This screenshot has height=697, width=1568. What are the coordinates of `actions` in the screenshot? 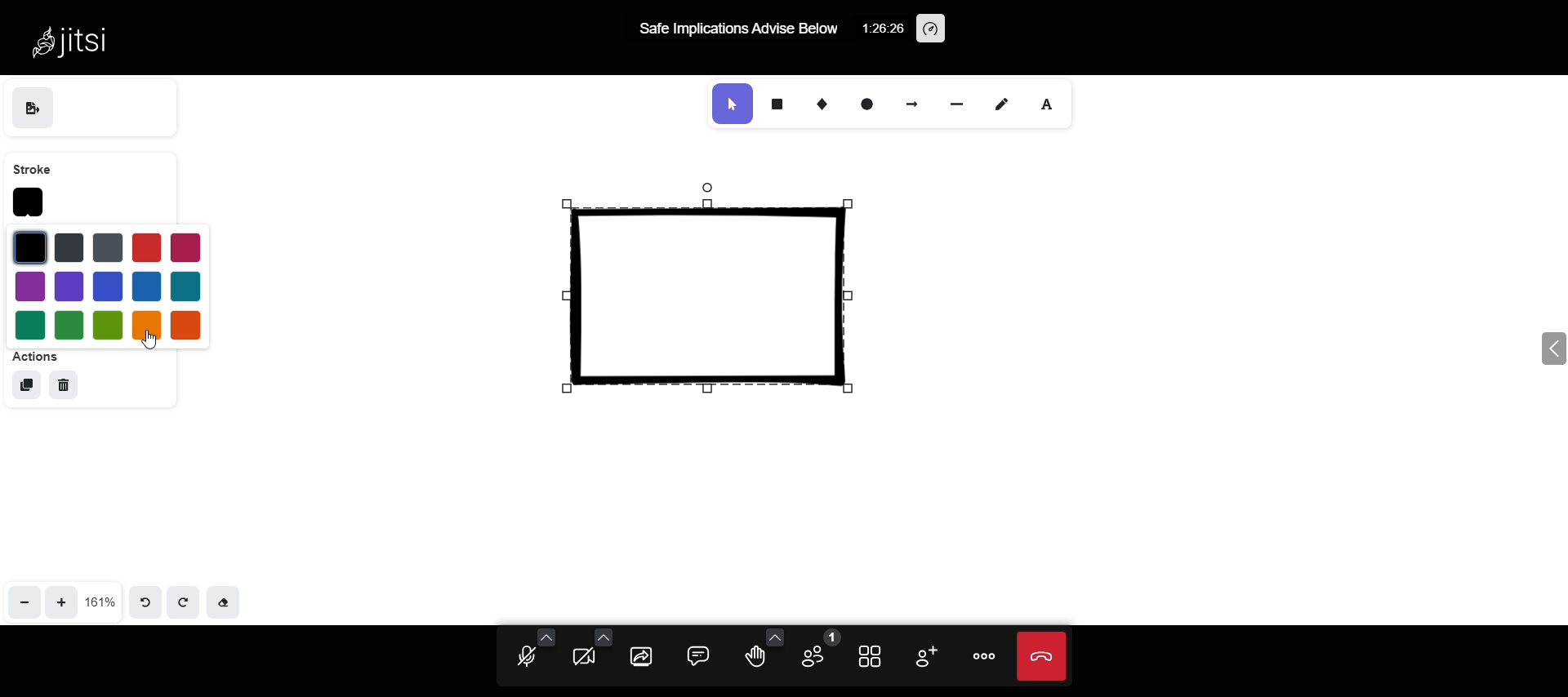 It's located at (42, 354).